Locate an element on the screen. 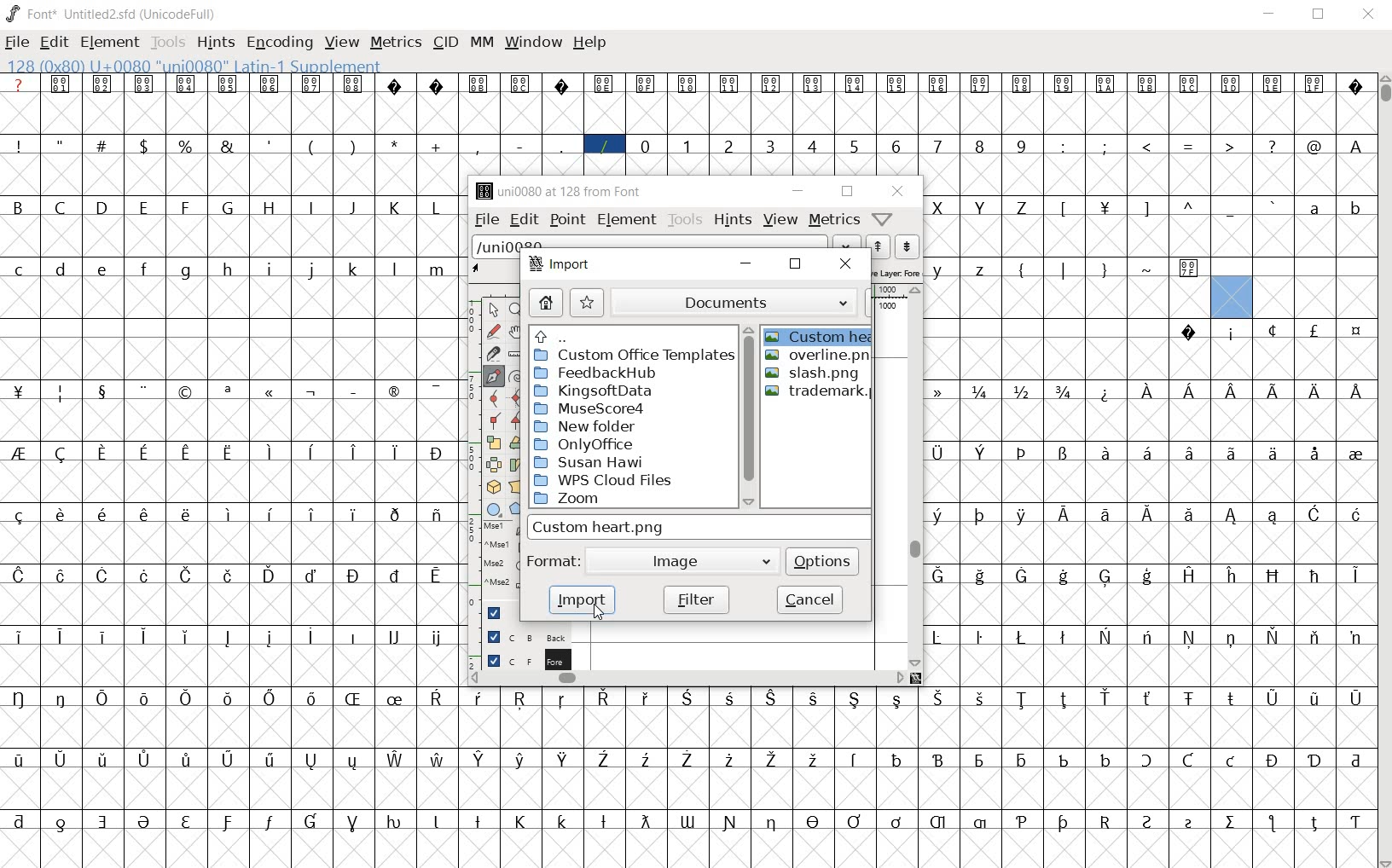 The width and height of the screenshot is (1392, 868). filter is located at coordinates (696, 599).